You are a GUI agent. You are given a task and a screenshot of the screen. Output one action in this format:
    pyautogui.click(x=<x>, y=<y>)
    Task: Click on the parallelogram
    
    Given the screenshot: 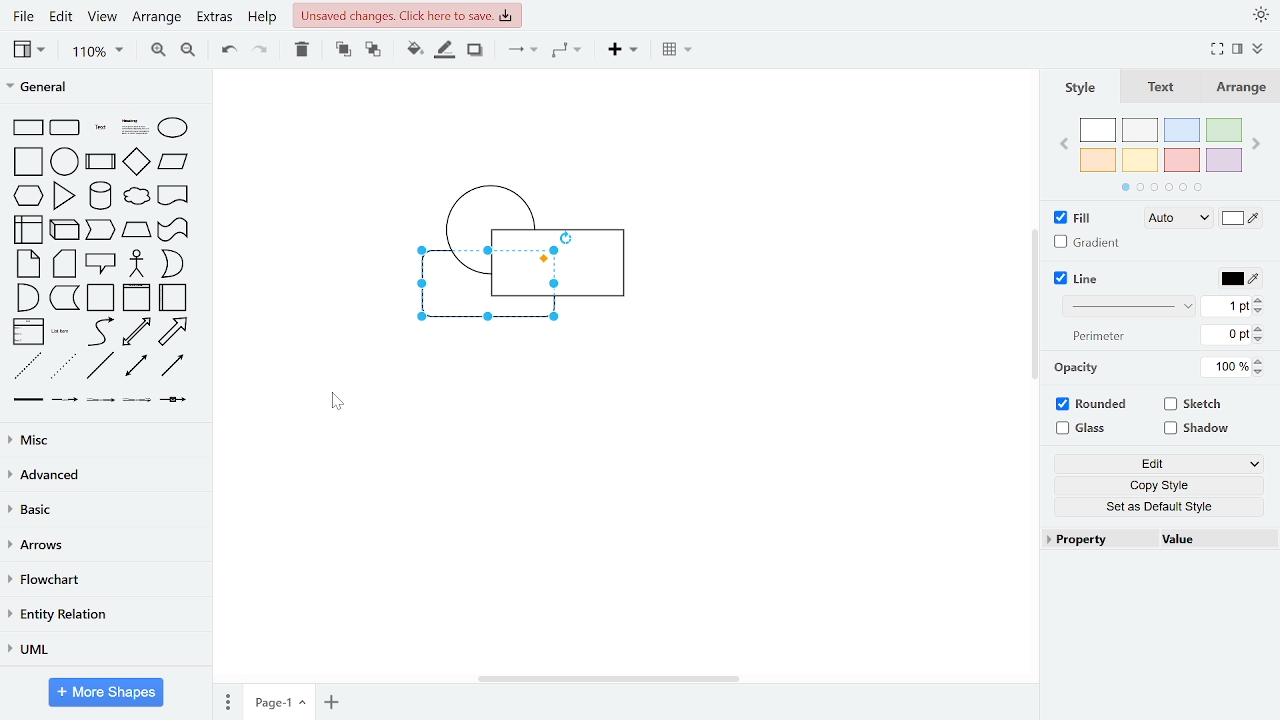 What is the action you would take?
    pyautogui.click(x=173, y=163)
    